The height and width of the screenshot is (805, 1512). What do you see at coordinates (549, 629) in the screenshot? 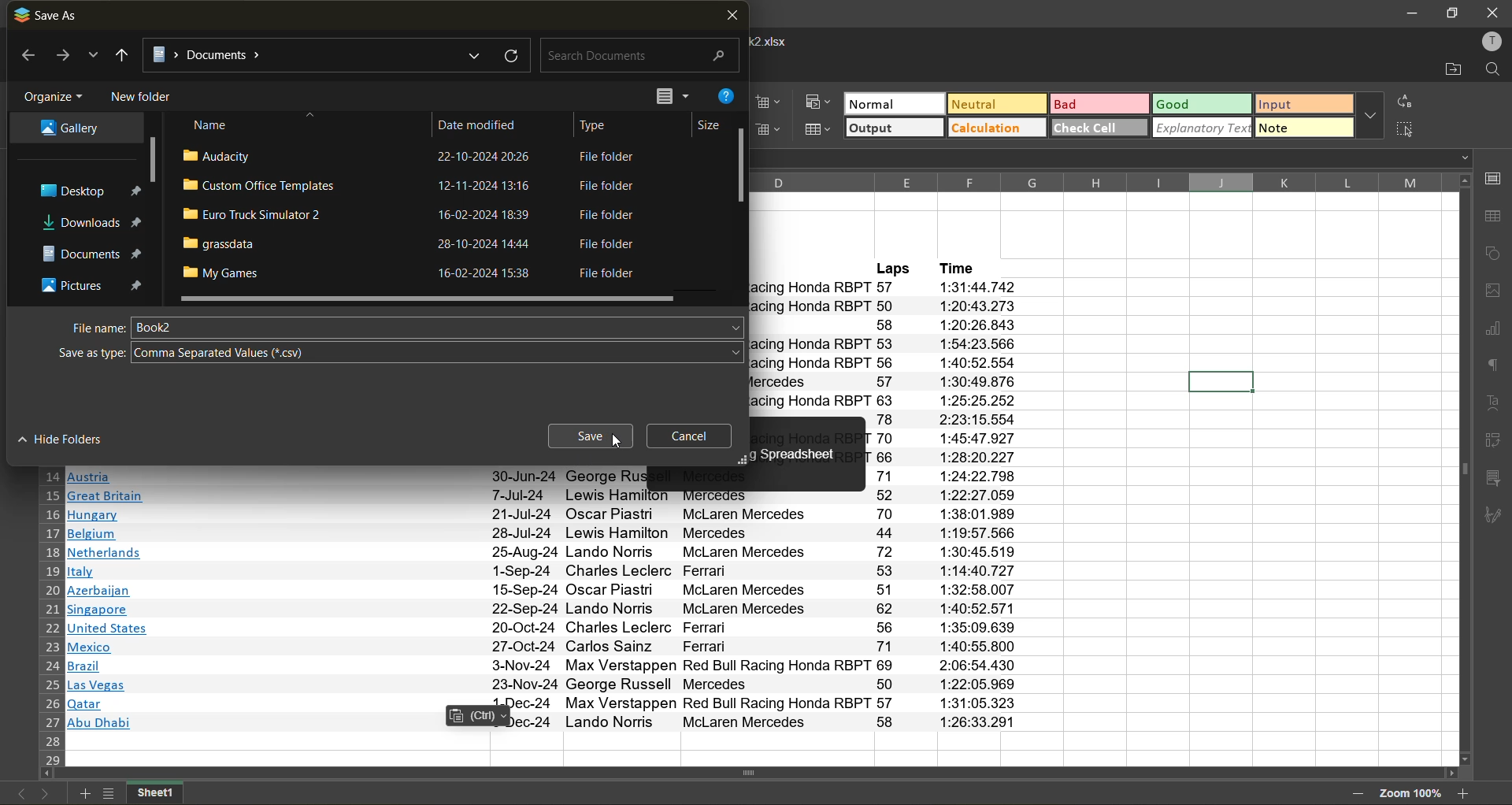
I see `text info` at bounding box center [549, 629].